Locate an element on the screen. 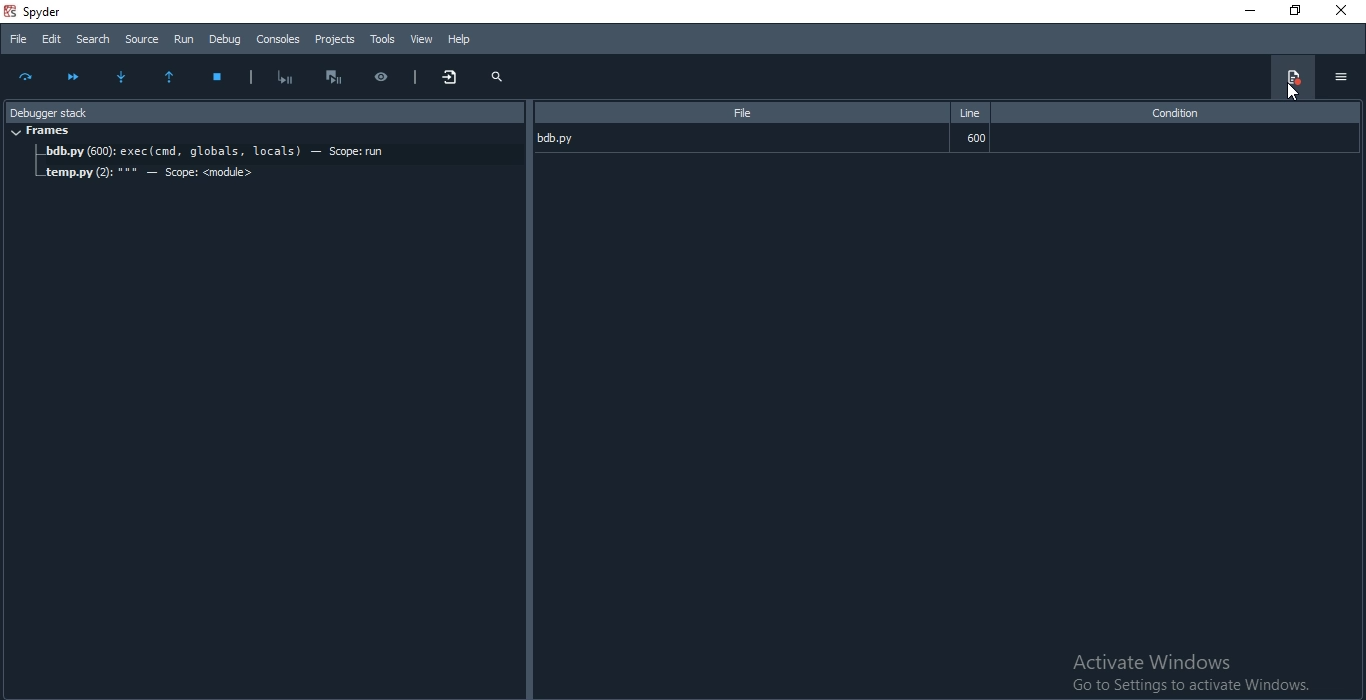 Image resolution: width=1366 pixels, height=700 pixels. More is located at coordinates (452, 78).